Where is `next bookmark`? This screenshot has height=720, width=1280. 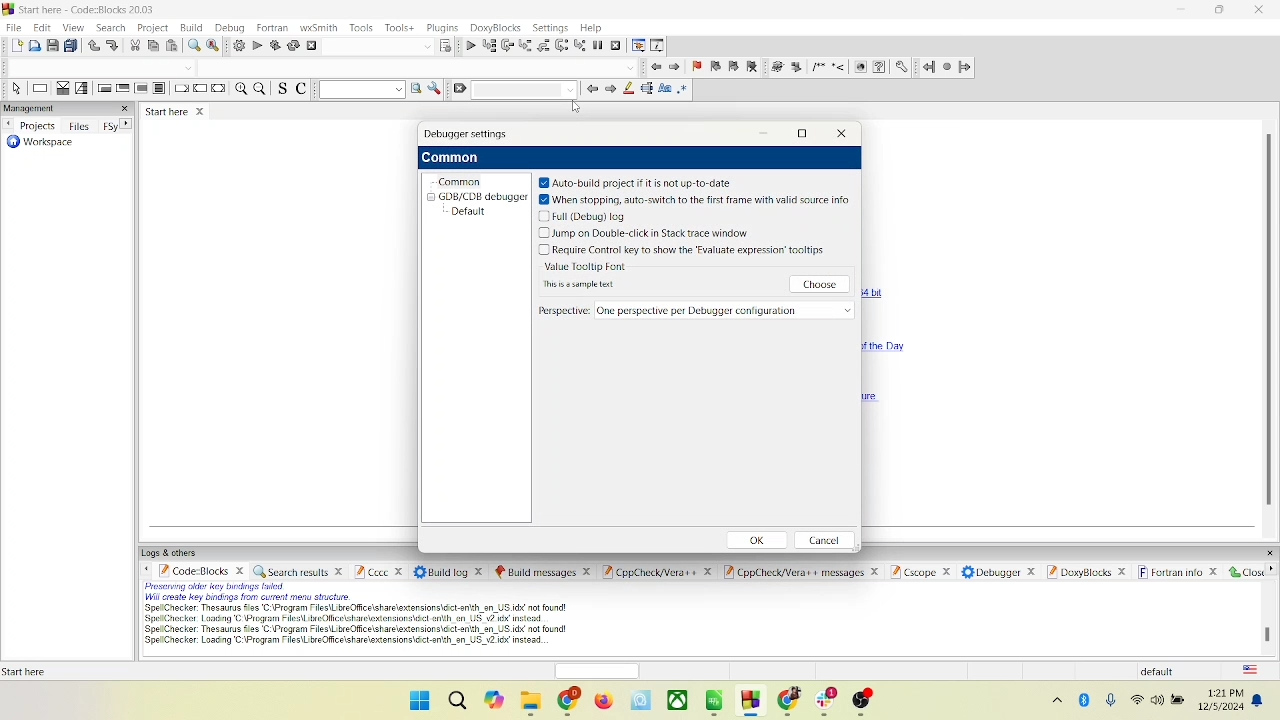 next bookmark is located at coordinates (733, 67).